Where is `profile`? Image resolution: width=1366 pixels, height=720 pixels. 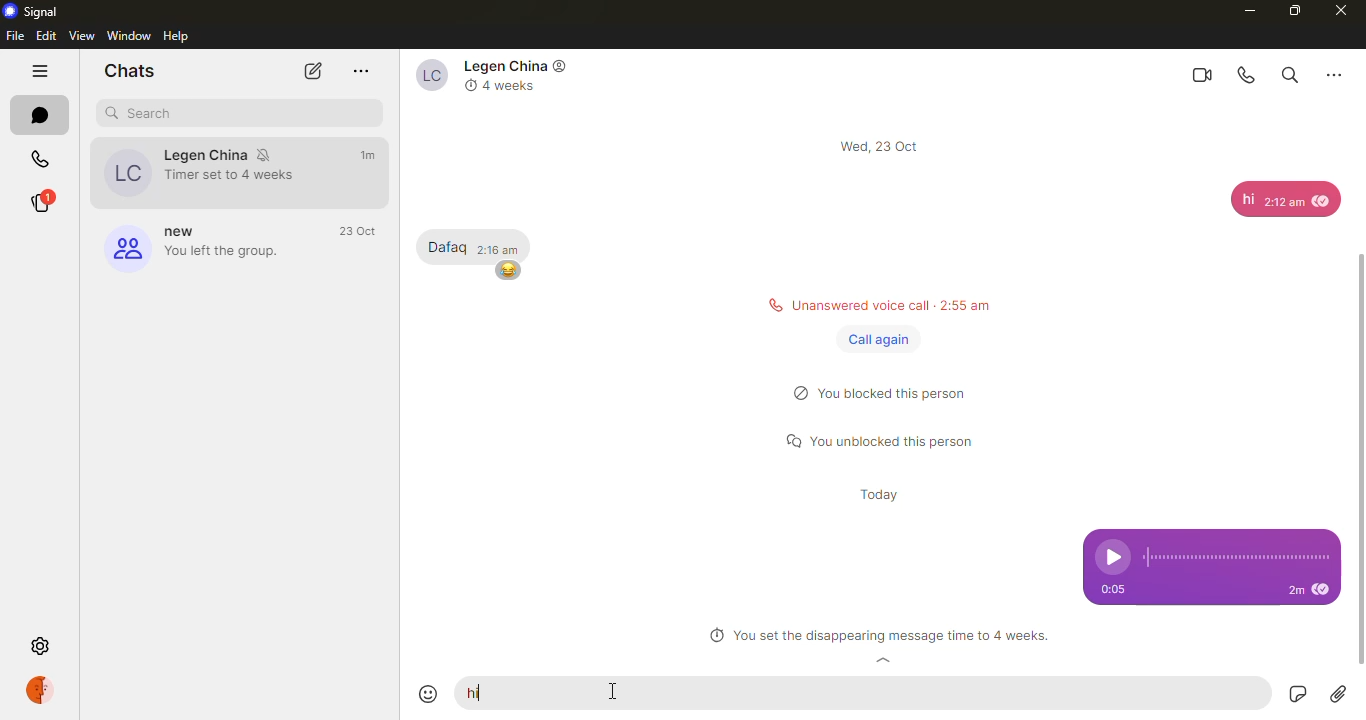 profile is located at coordinates (44, 690).